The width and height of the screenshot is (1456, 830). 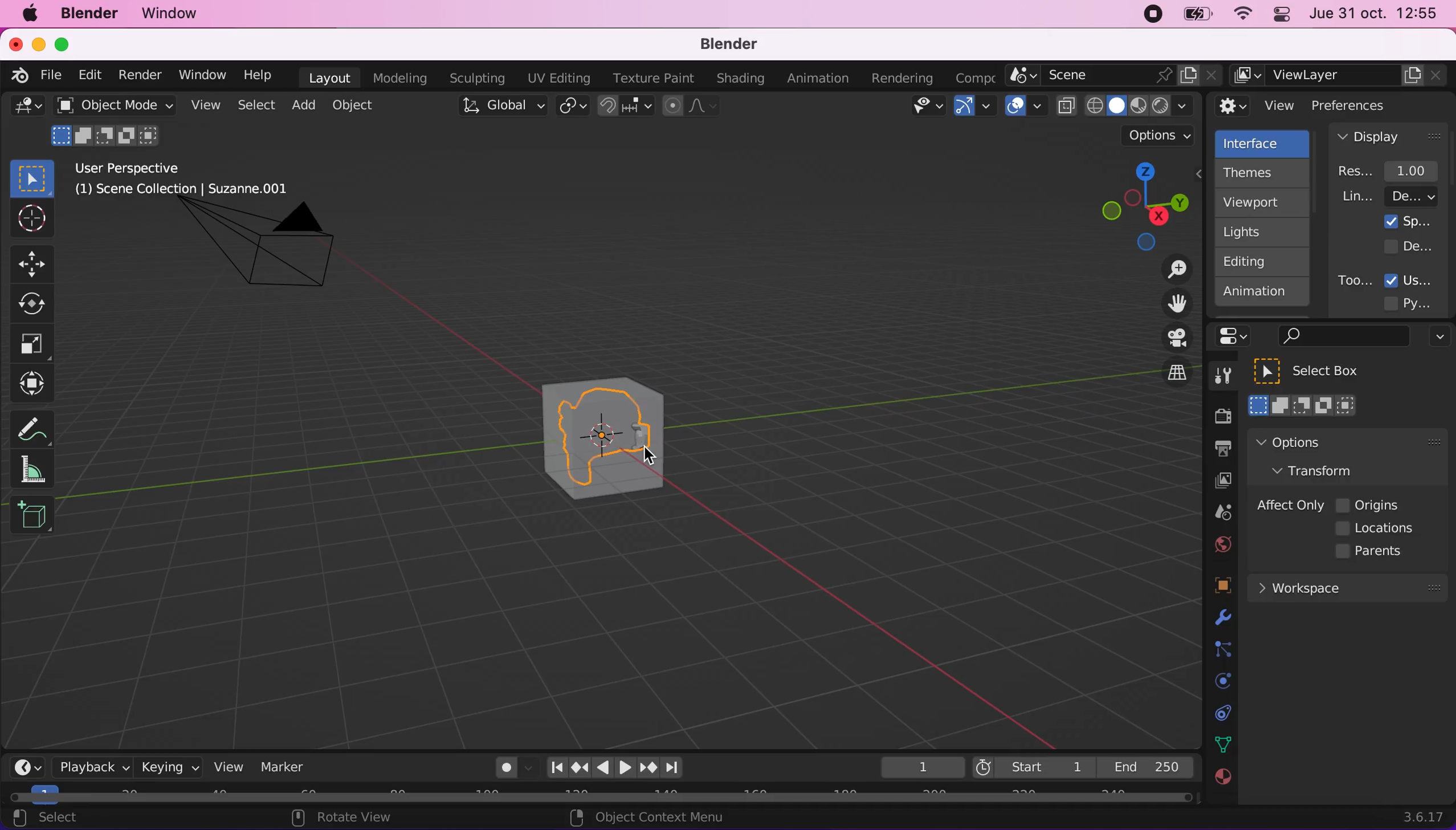 I want to click on physics prompts, so click(x=1216, y=682).